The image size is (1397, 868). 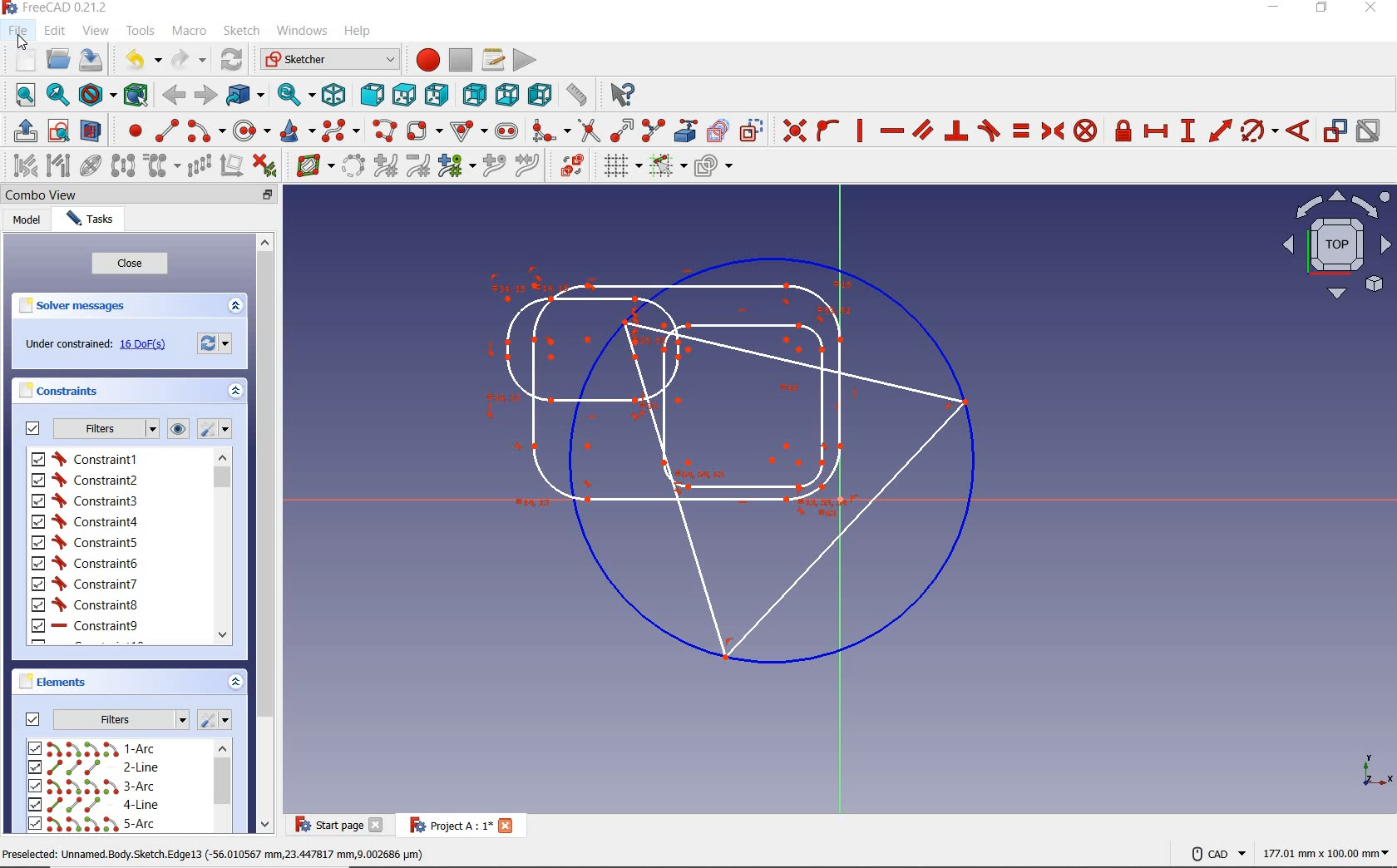 I want to click on create circle, so click(x=250, y=130).